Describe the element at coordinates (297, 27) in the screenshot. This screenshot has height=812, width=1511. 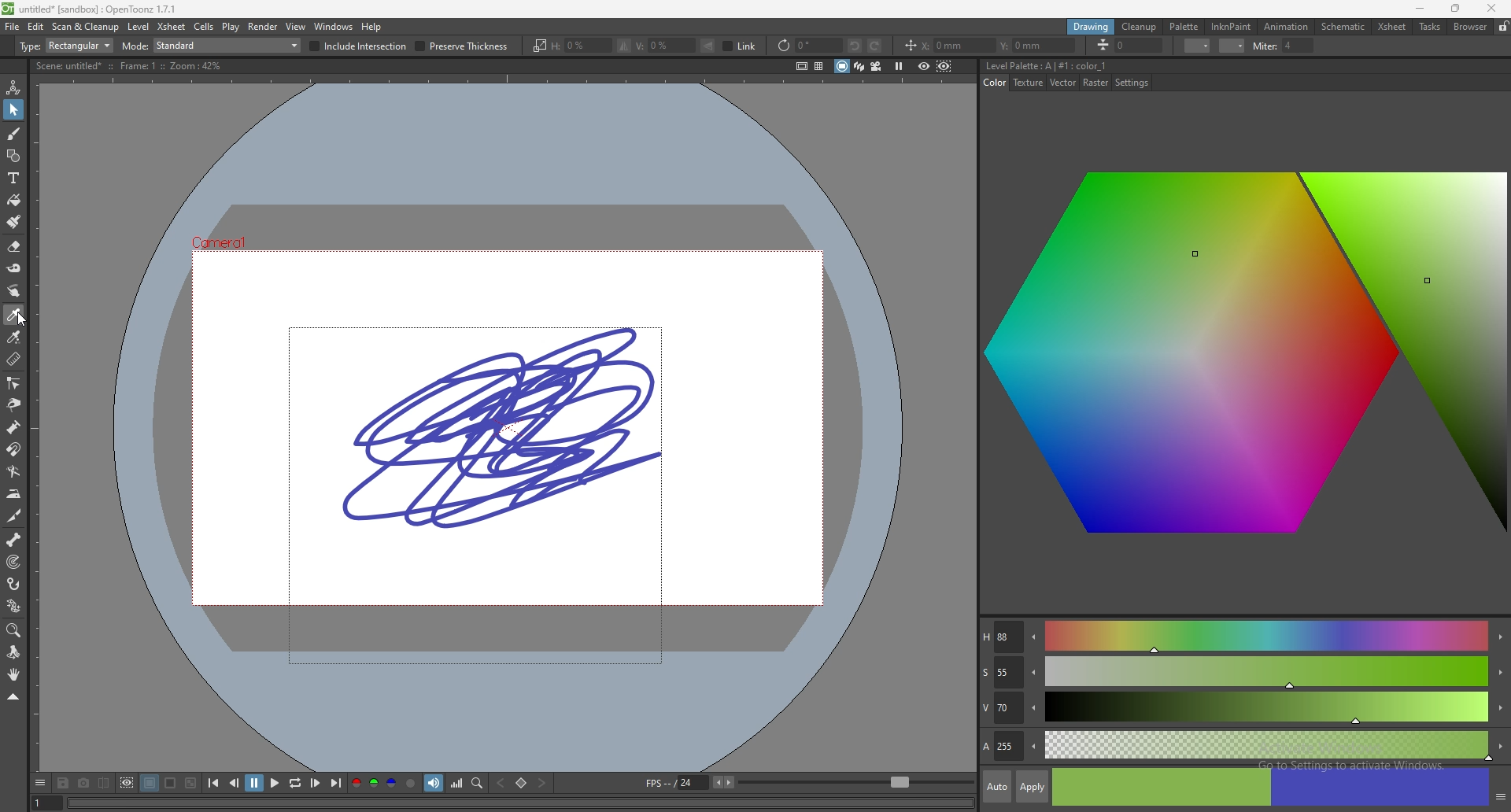
I see `view` at that location.